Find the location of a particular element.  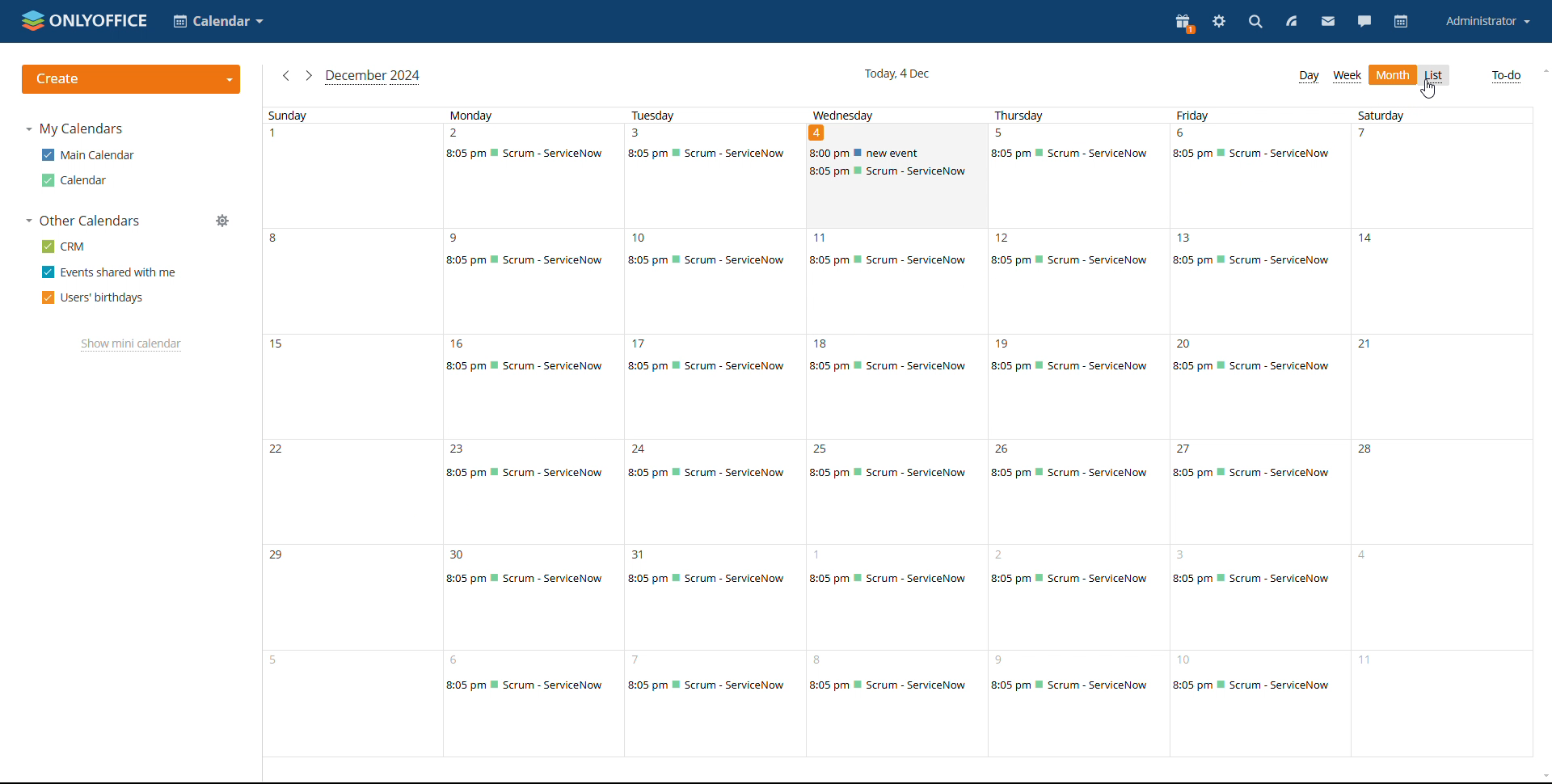

thursday is located at coordinates (1059, 114).